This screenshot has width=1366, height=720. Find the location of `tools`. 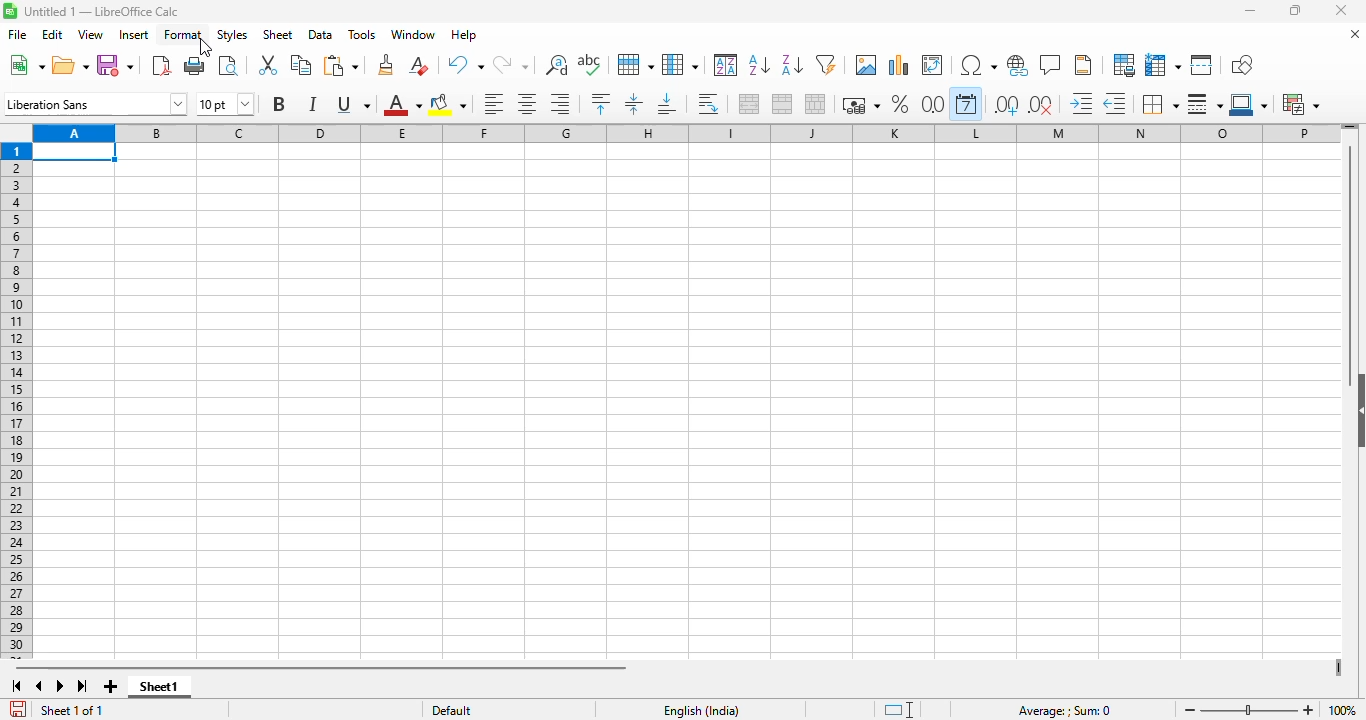

tools is located at coordinates (362, 34).